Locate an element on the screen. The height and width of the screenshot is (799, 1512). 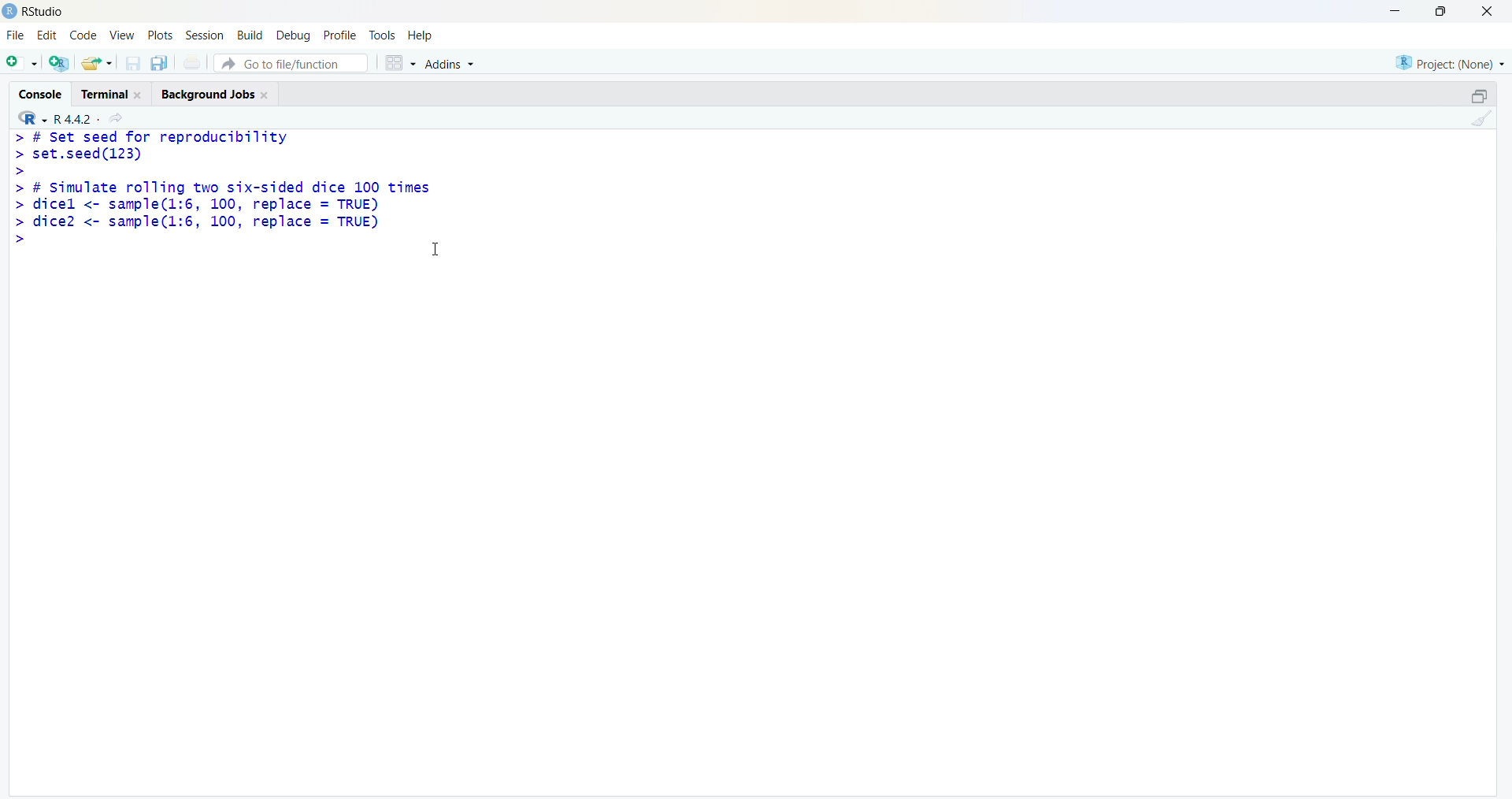
session is located at coordinates (205, 35).